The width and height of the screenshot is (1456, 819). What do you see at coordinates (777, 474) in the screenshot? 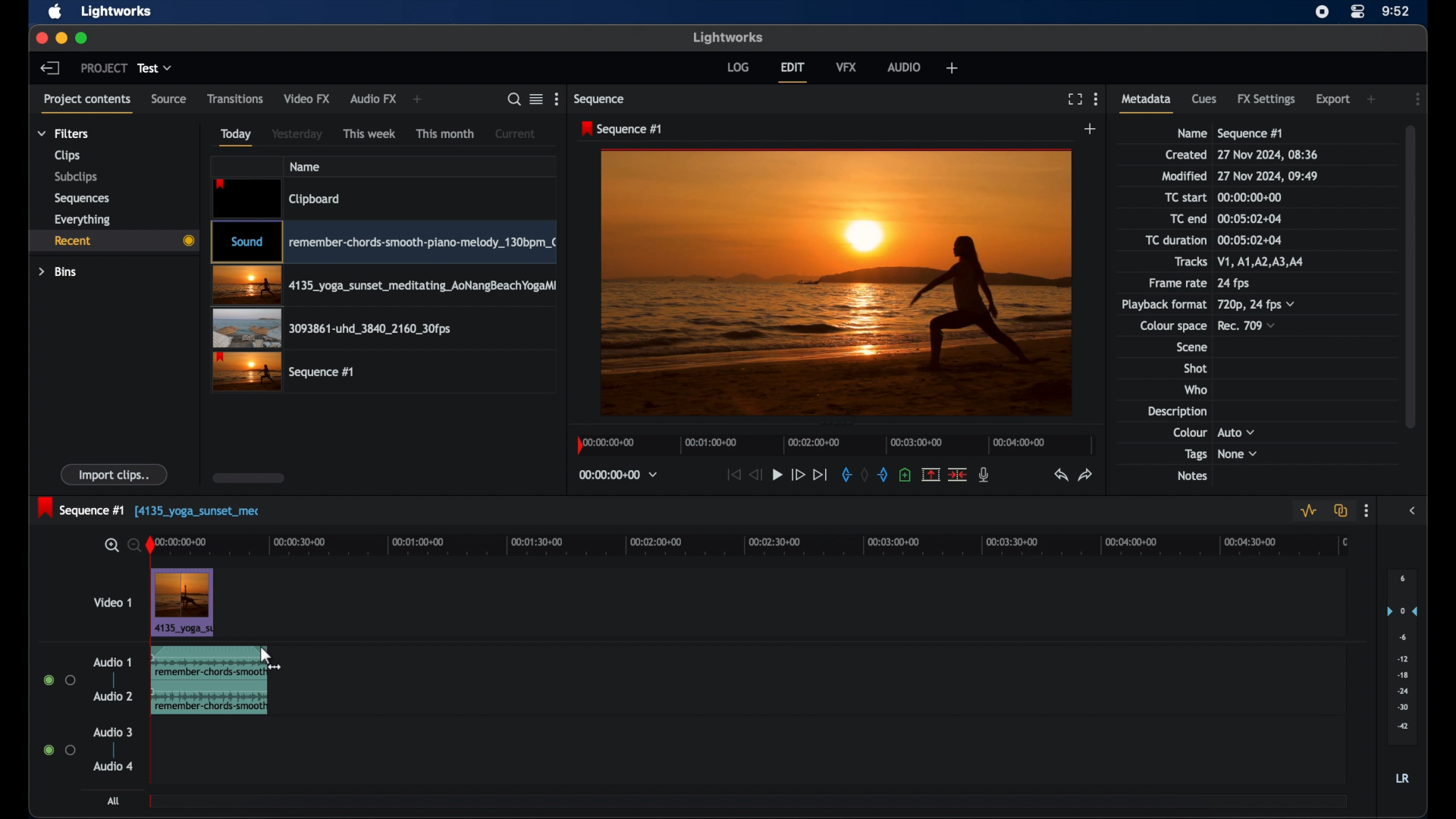
I see `play button` at bounding box center [777, 474].